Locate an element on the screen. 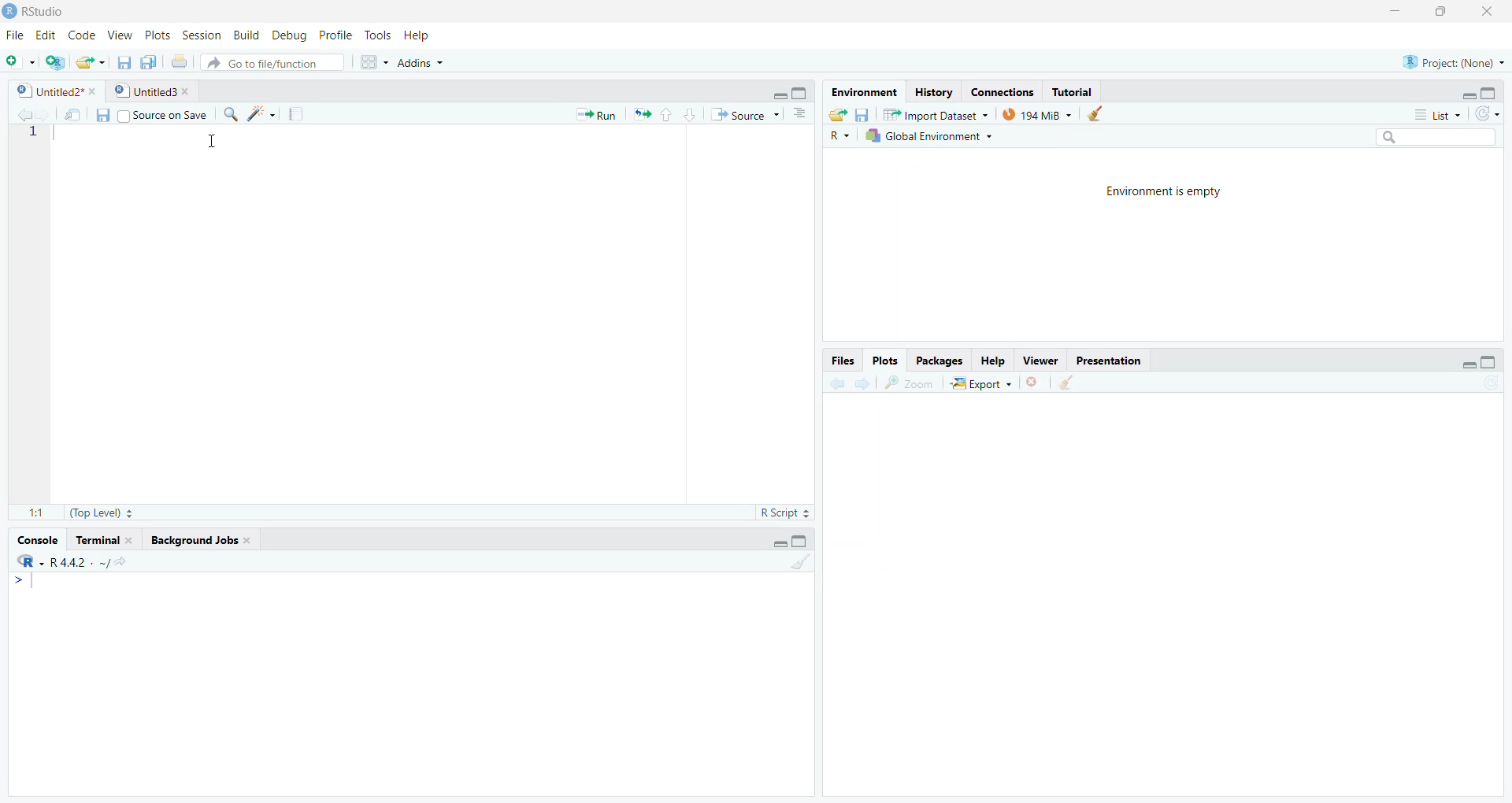 The image size is (1512, 803). move back is located at coordinates (839, 383).